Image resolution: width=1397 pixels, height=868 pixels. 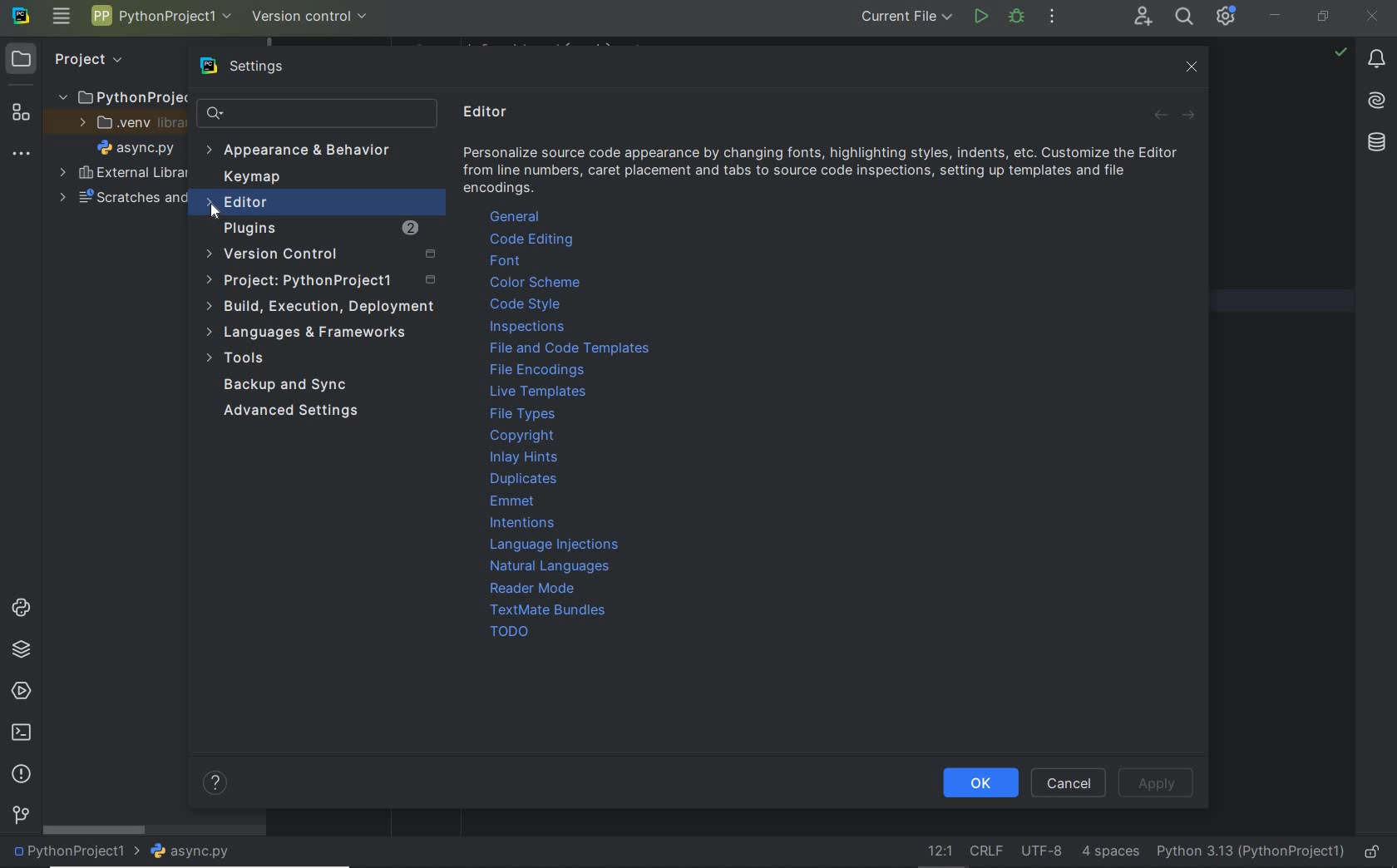 I want to click on run, so click(x=980, y=16).